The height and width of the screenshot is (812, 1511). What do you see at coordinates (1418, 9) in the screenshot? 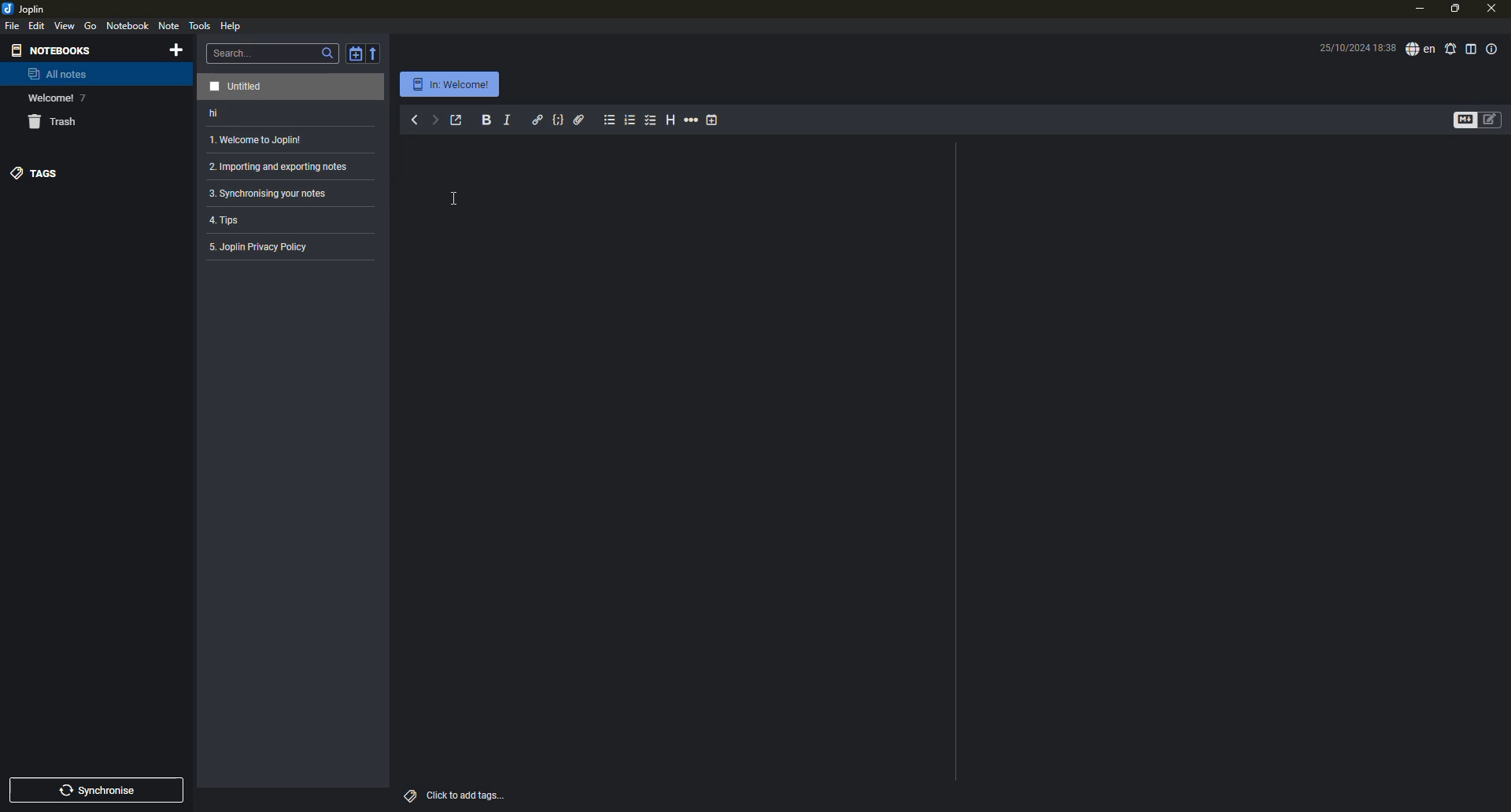
I see `minimize` at bounding box center [1418, 9].